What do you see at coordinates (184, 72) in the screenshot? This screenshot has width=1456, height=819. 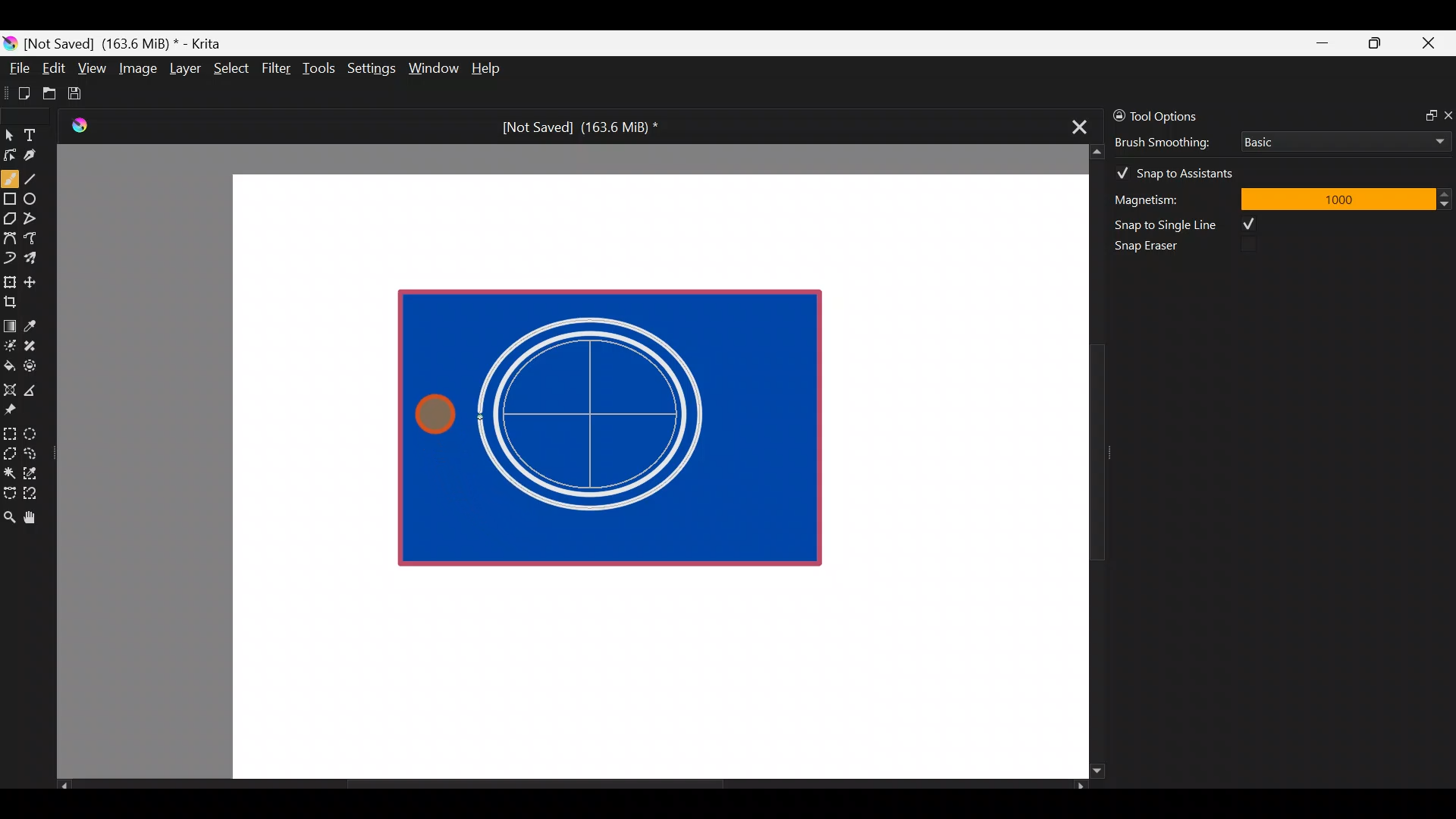 I see `Layer` at bounding box center [184, 72].